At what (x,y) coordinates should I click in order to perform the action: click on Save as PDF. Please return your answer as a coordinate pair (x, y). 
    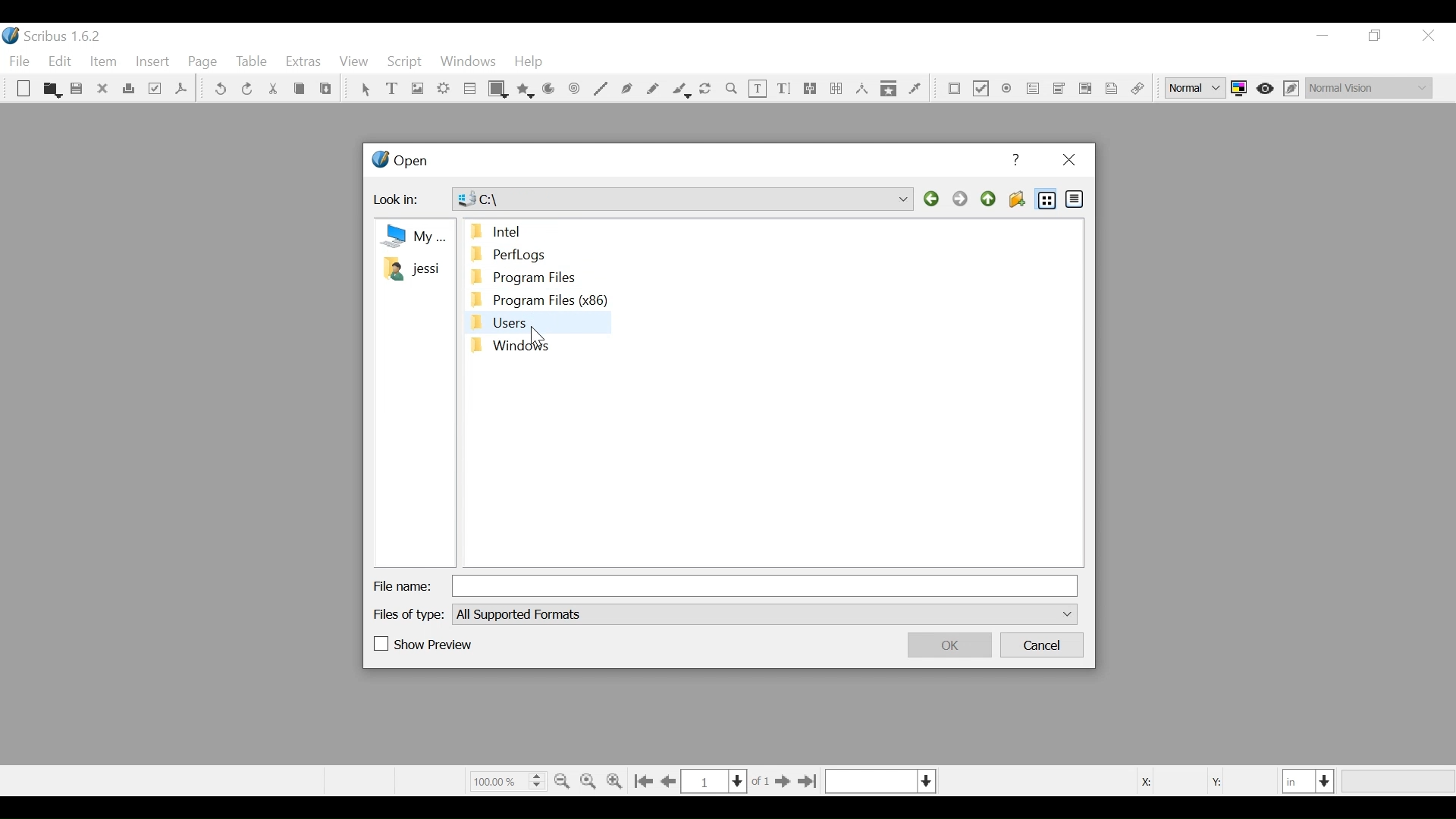
    Looking at the image, I should click on (180, 91).